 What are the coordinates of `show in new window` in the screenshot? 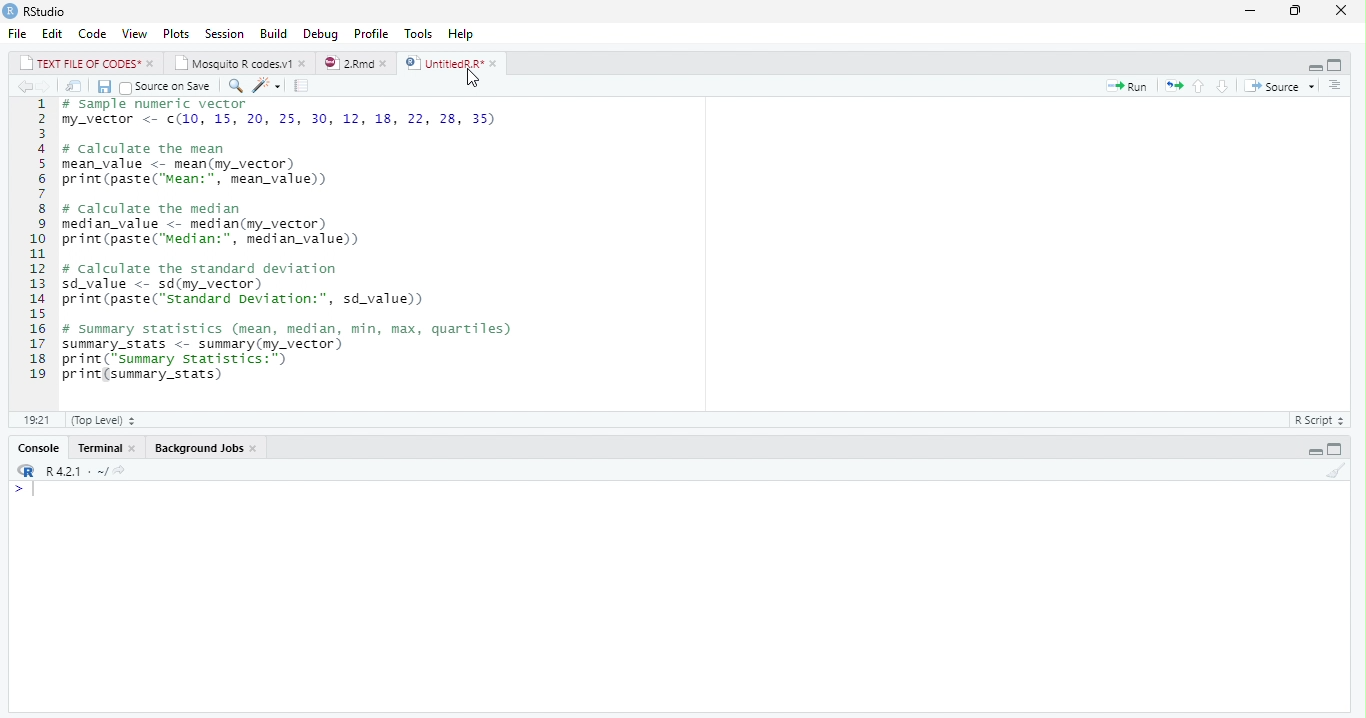 It's located at (76, 87).